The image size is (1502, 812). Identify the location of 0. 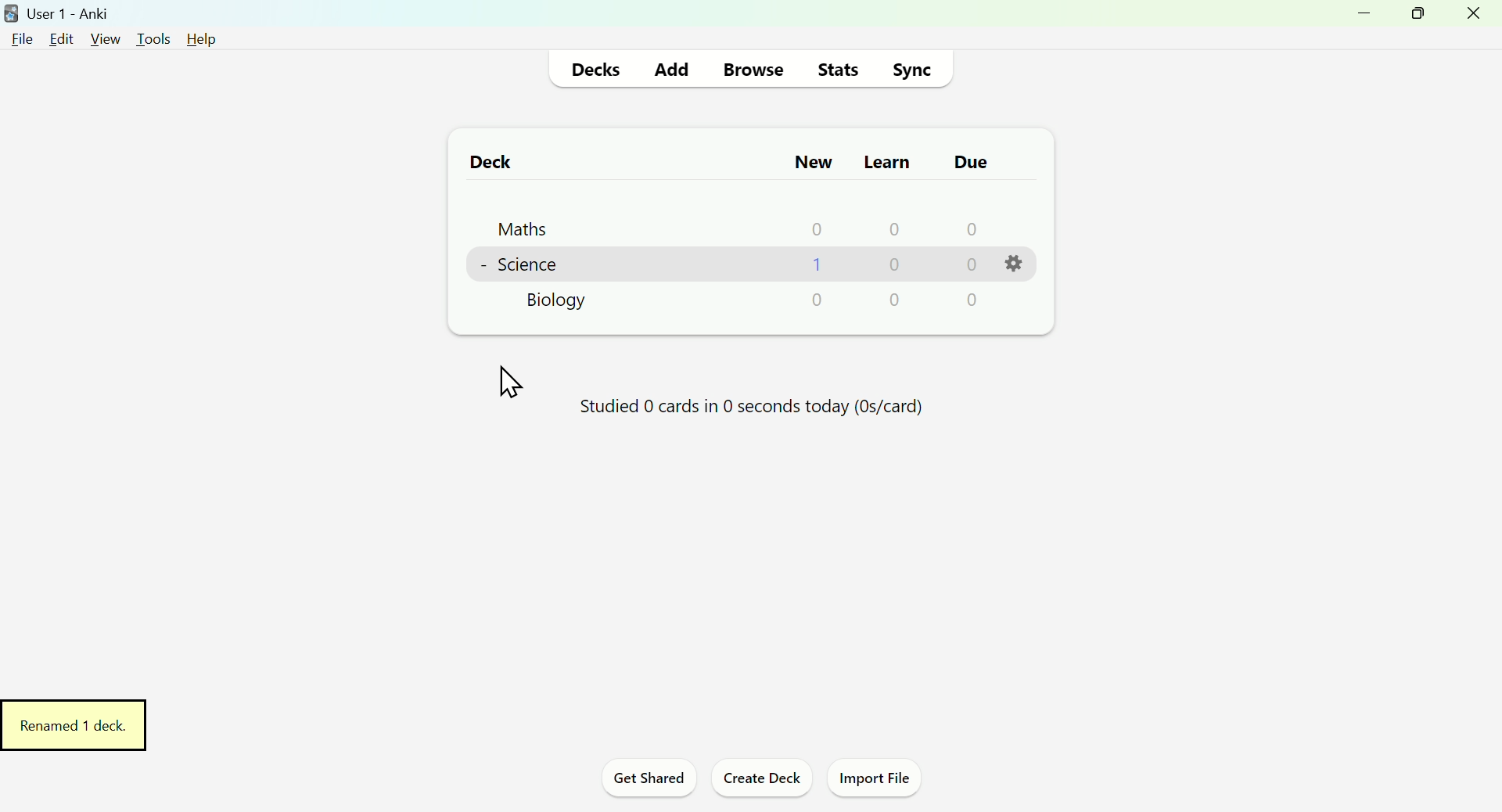
(897, 300).